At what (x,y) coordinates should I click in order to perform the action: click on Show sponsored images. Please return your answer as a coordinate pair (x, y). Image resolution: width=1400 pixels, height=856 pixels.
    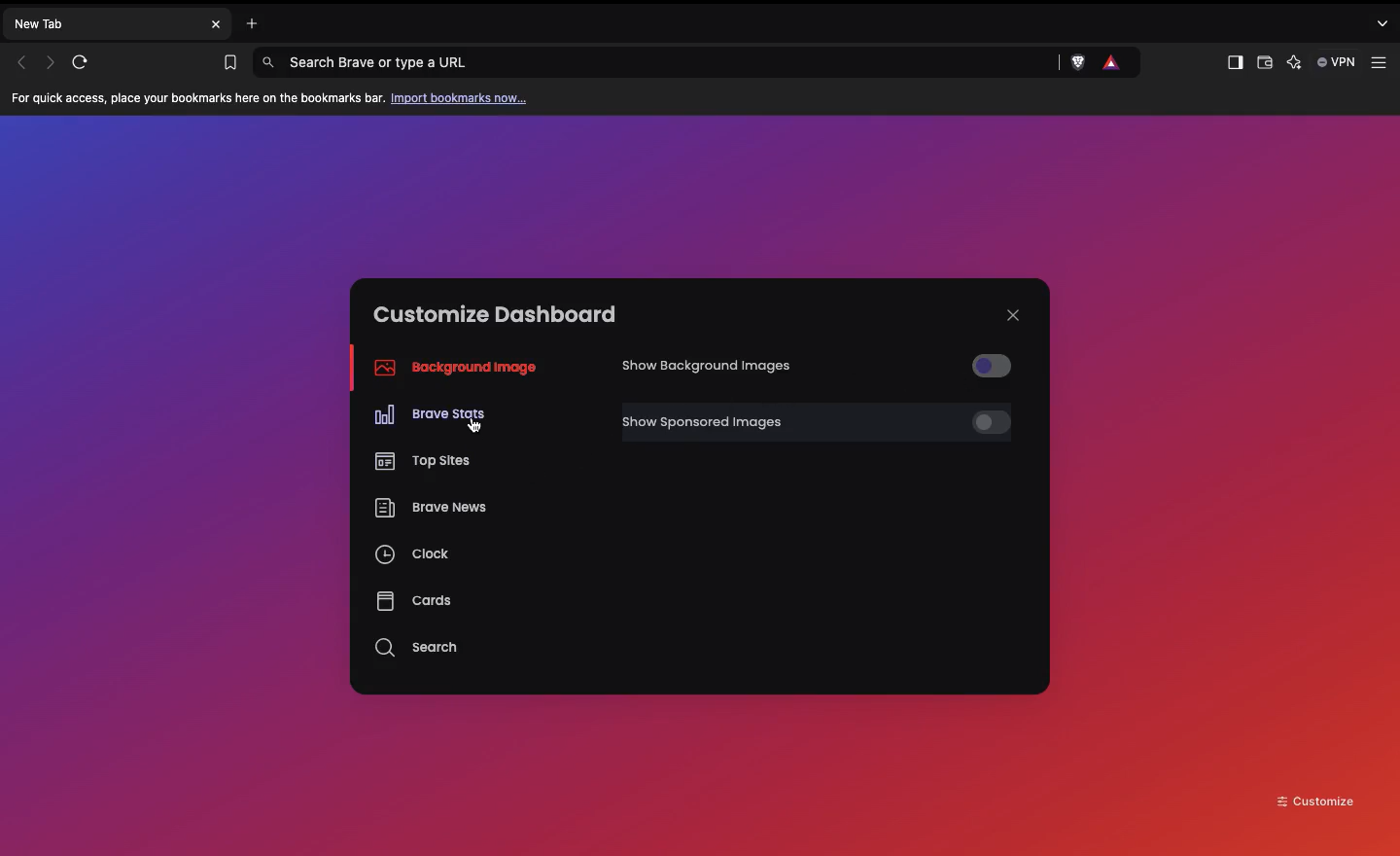
    Looking at the image, I should click on (786, 422).